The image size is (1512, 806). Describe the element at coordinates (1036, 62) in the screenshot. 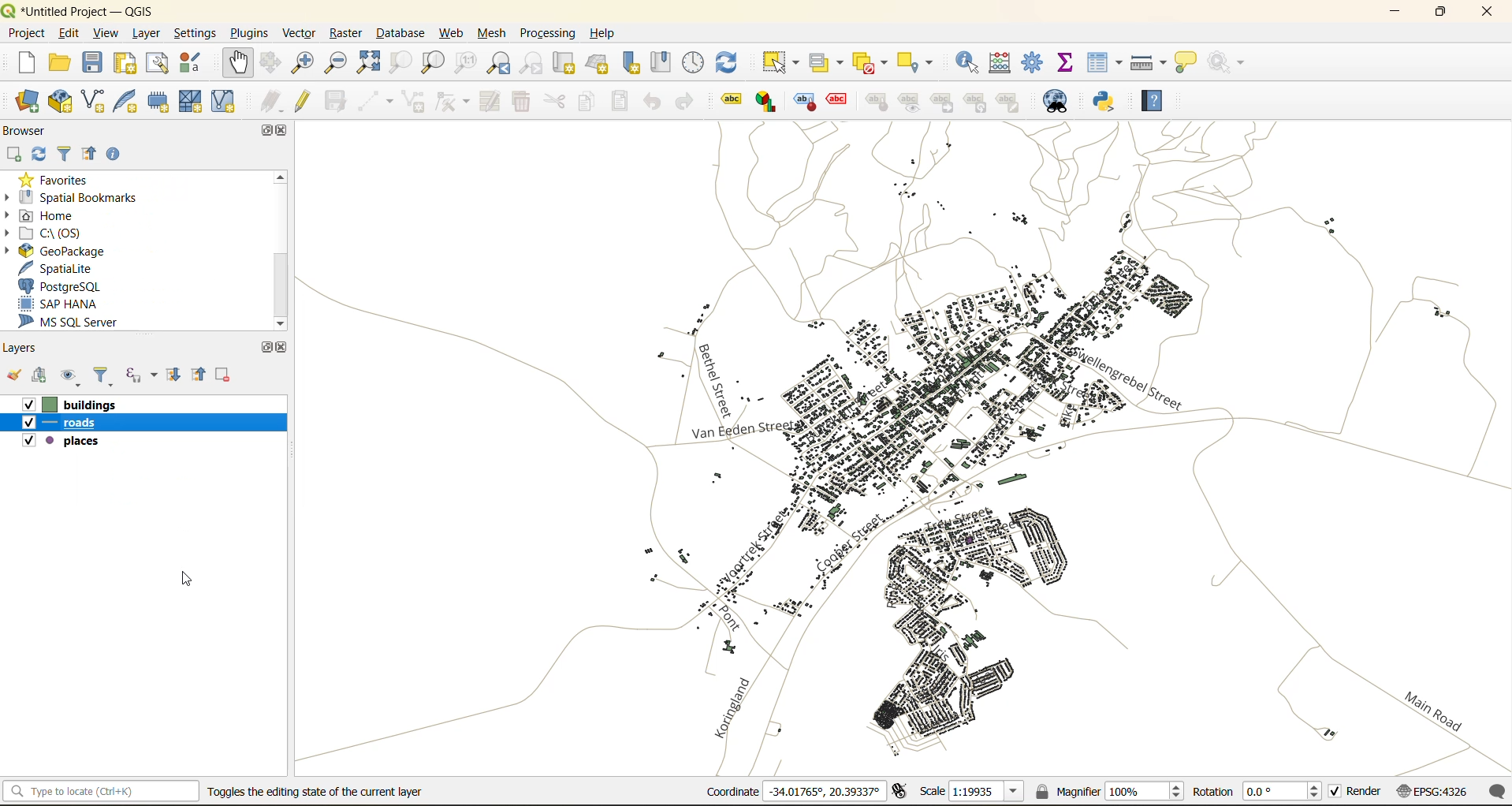

I see `toolbox` at that location.